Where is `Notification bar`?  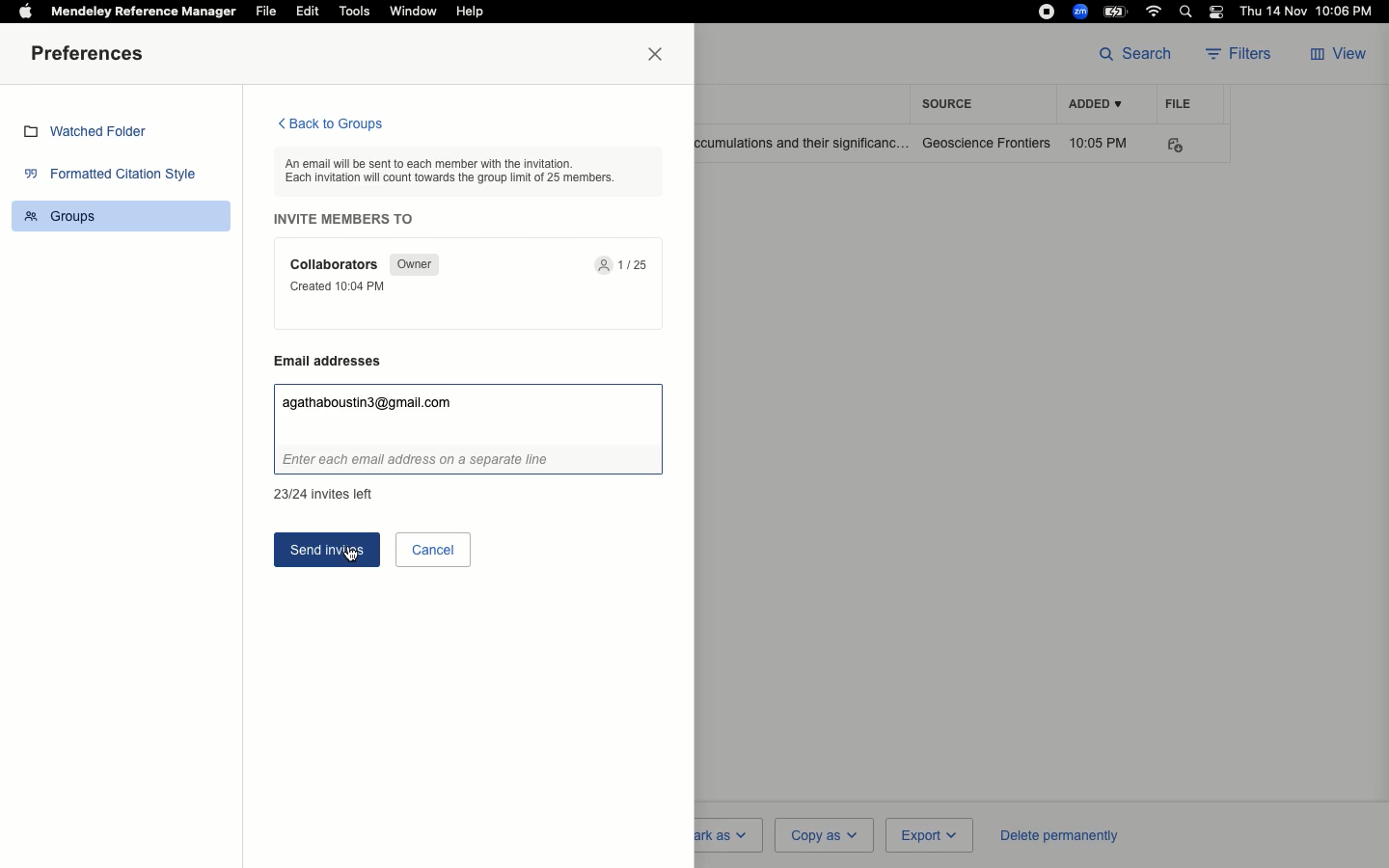
Notification bar is located at coordinates (1217, 14).